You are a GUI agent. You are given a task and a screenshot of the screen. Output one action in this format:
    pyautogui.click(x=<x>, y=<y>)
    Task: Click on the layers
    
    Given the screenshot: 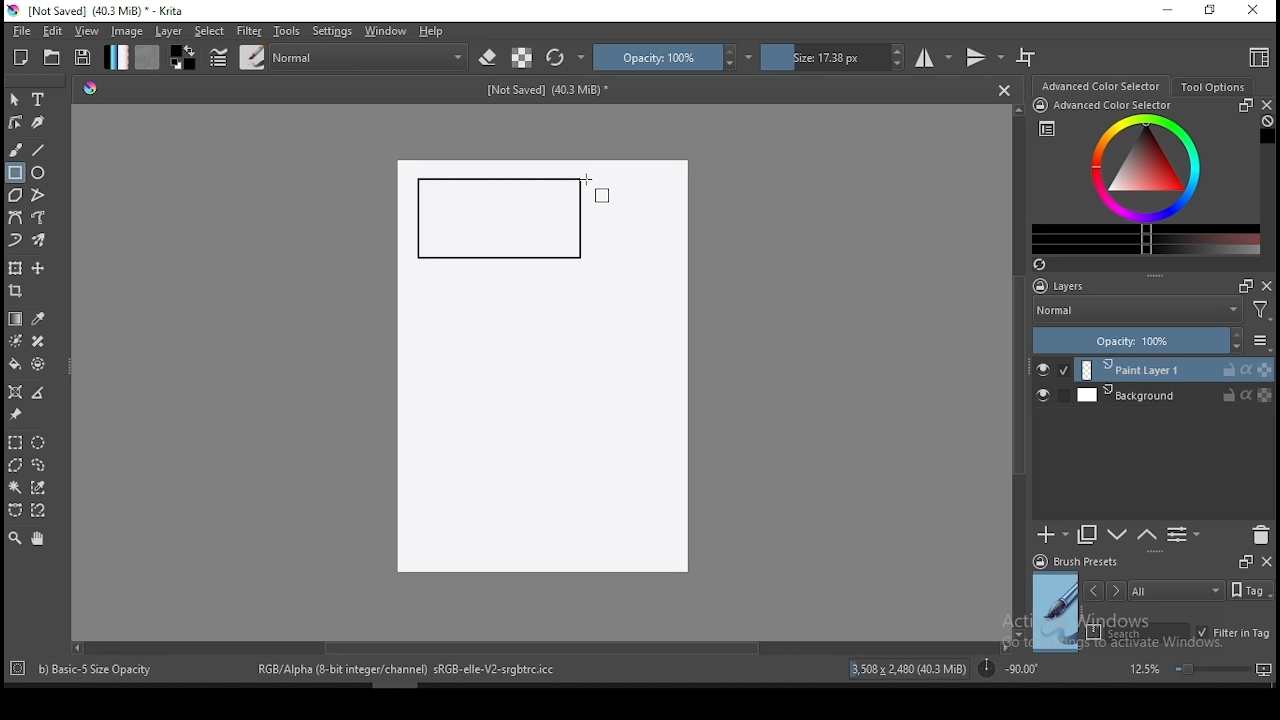 What is the action you would take?
    pyautogui.click(x=1065, y=287)
    